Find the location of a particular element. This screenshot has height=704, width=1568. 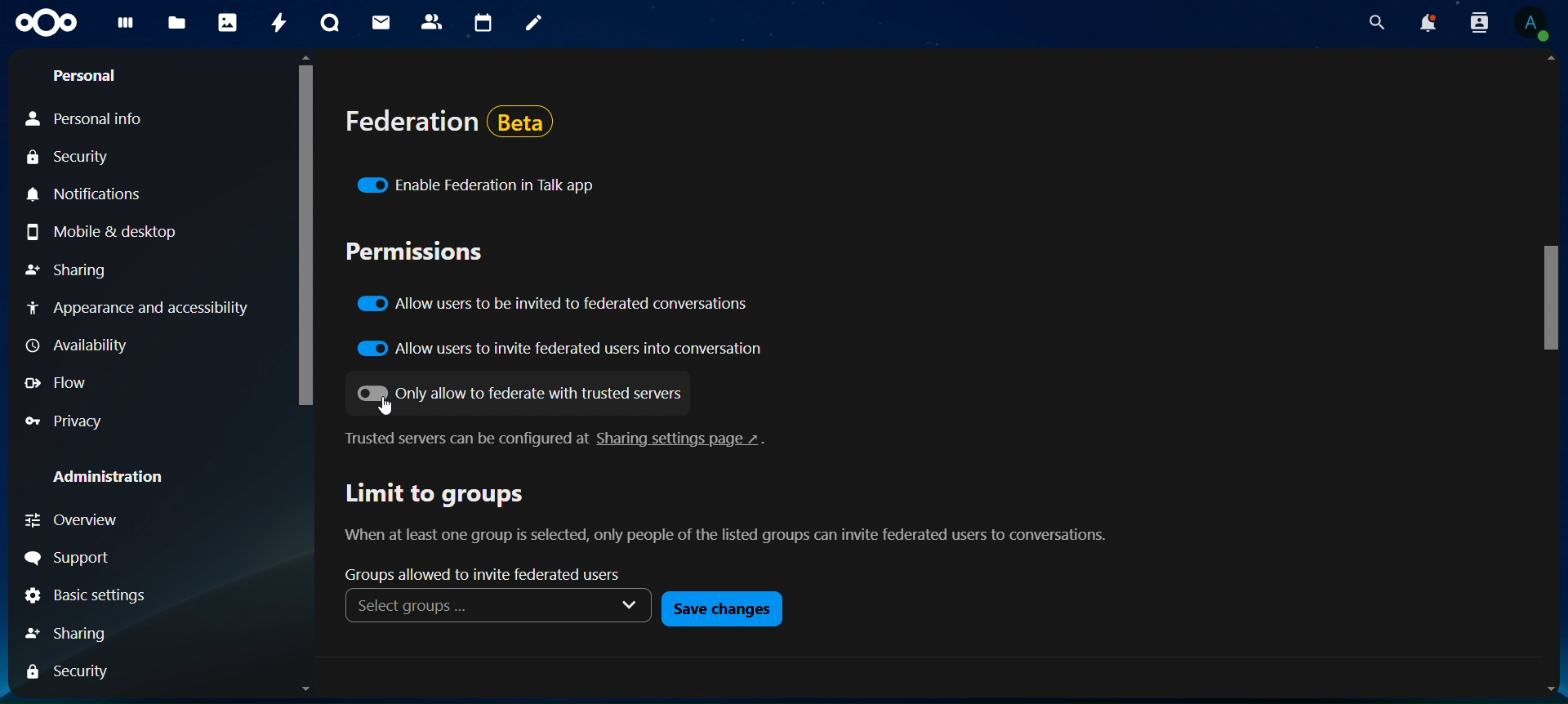

permissions is located at coordinates (416, 252).